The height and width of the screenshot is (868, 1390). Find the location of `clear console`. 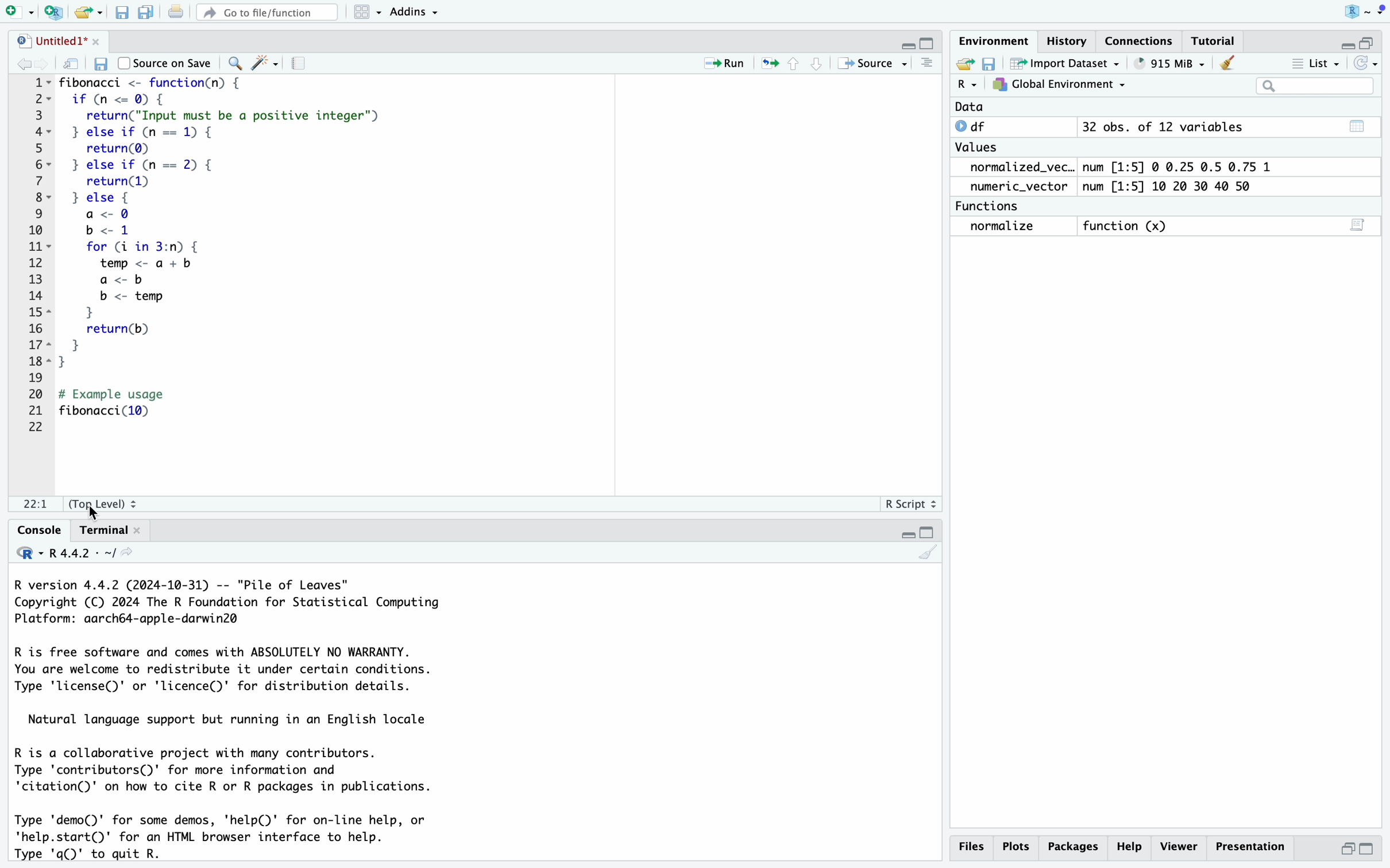

clear console is located at coordinates (924, 63).